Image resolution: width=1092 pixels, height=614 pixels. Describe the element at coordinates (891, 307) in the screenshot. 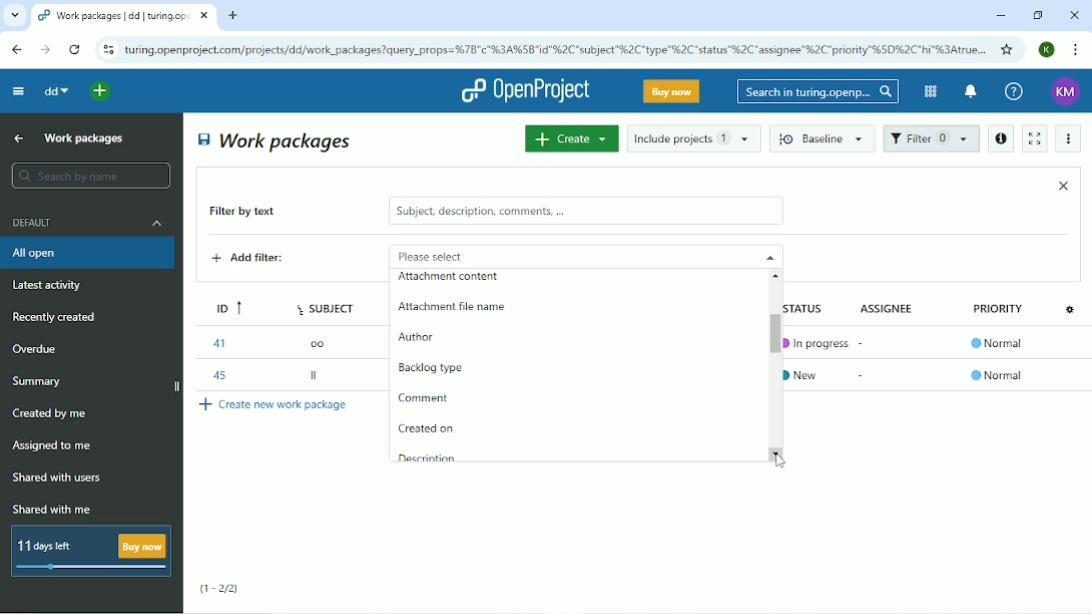

I see `Assignee` at that location.